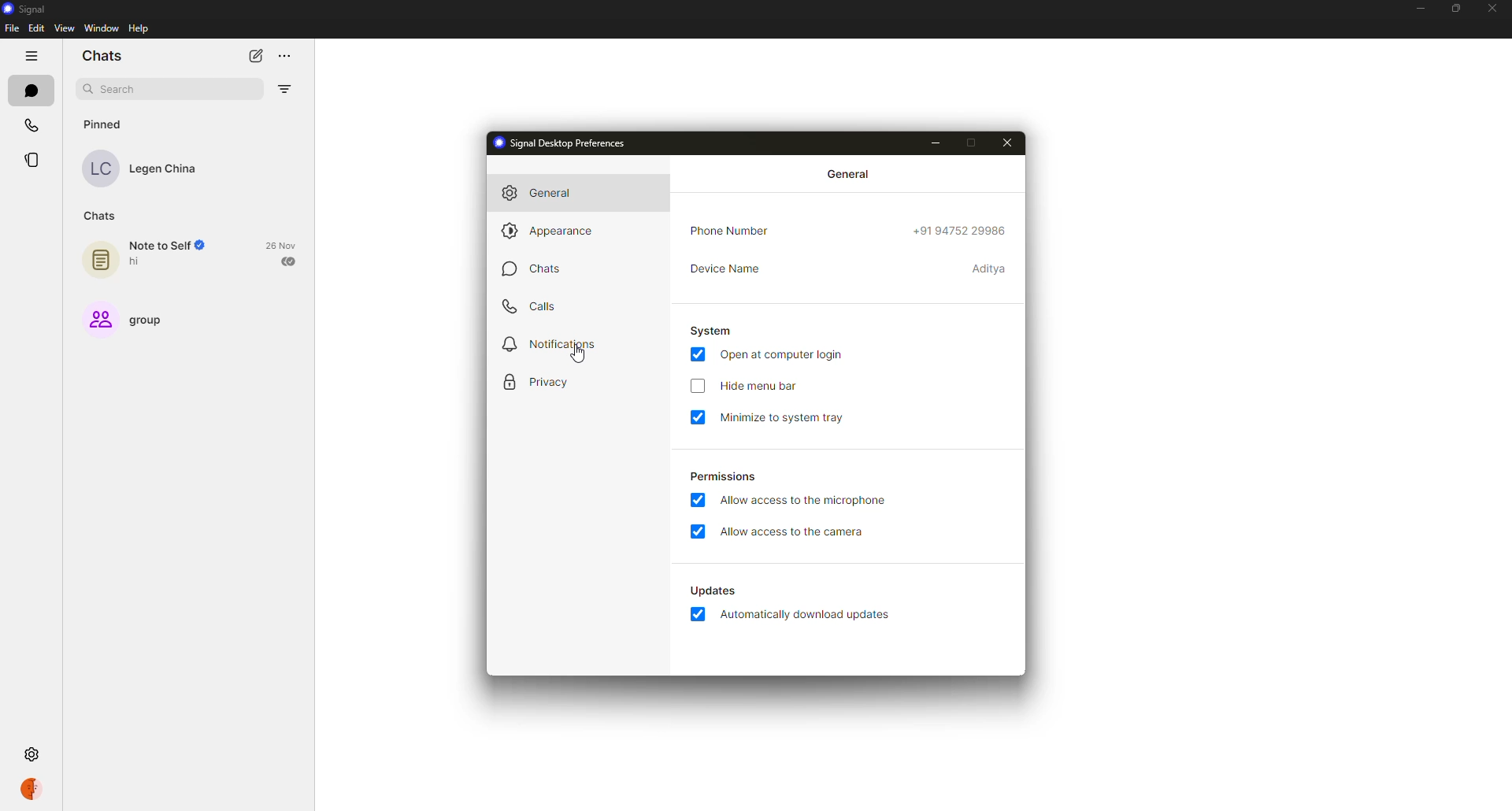 The image size is (1512, 811). I want to click on new chat, so click(255, 57).